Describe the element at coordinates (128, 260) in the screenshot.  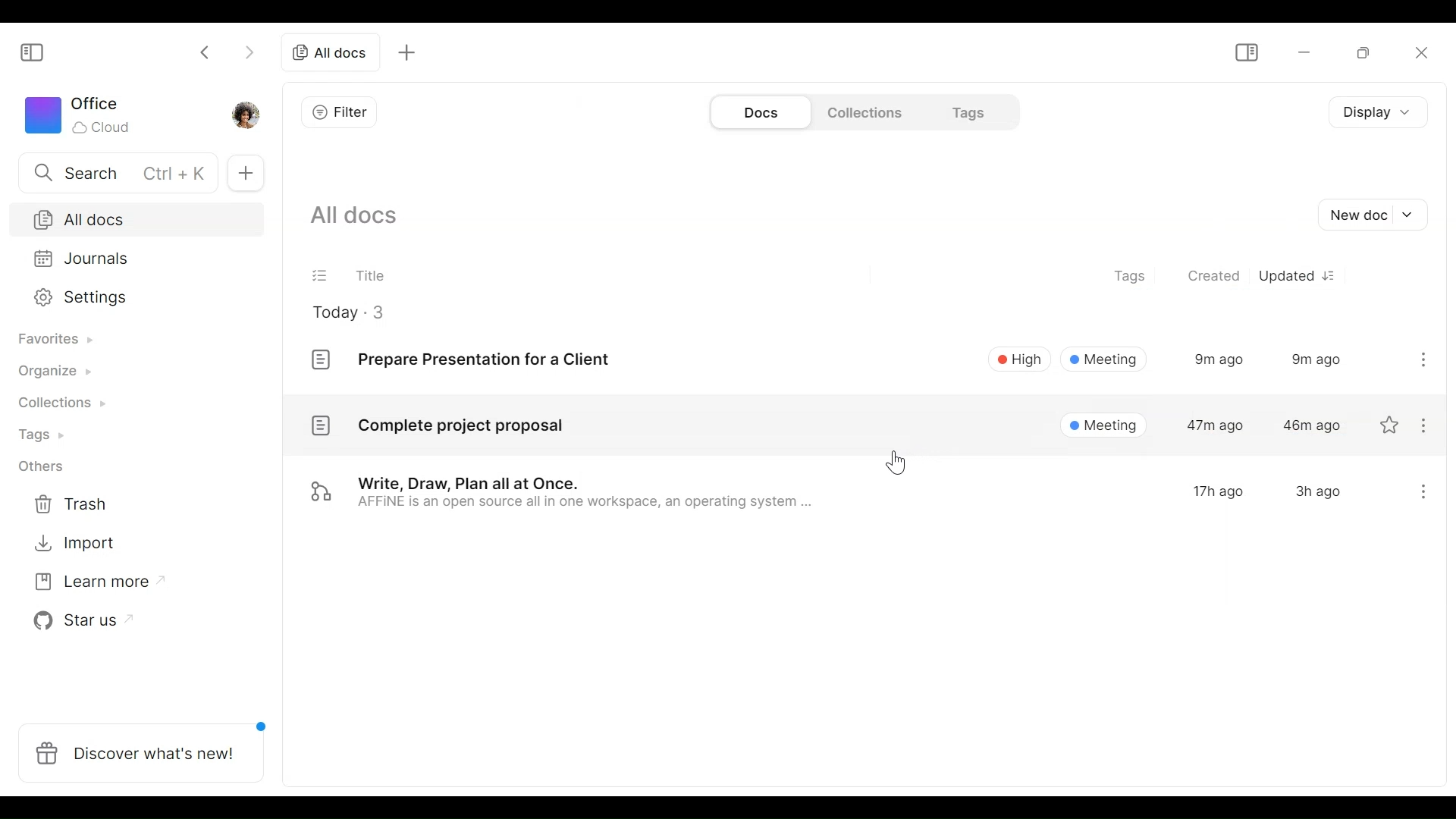
I see `Journal` at that location.